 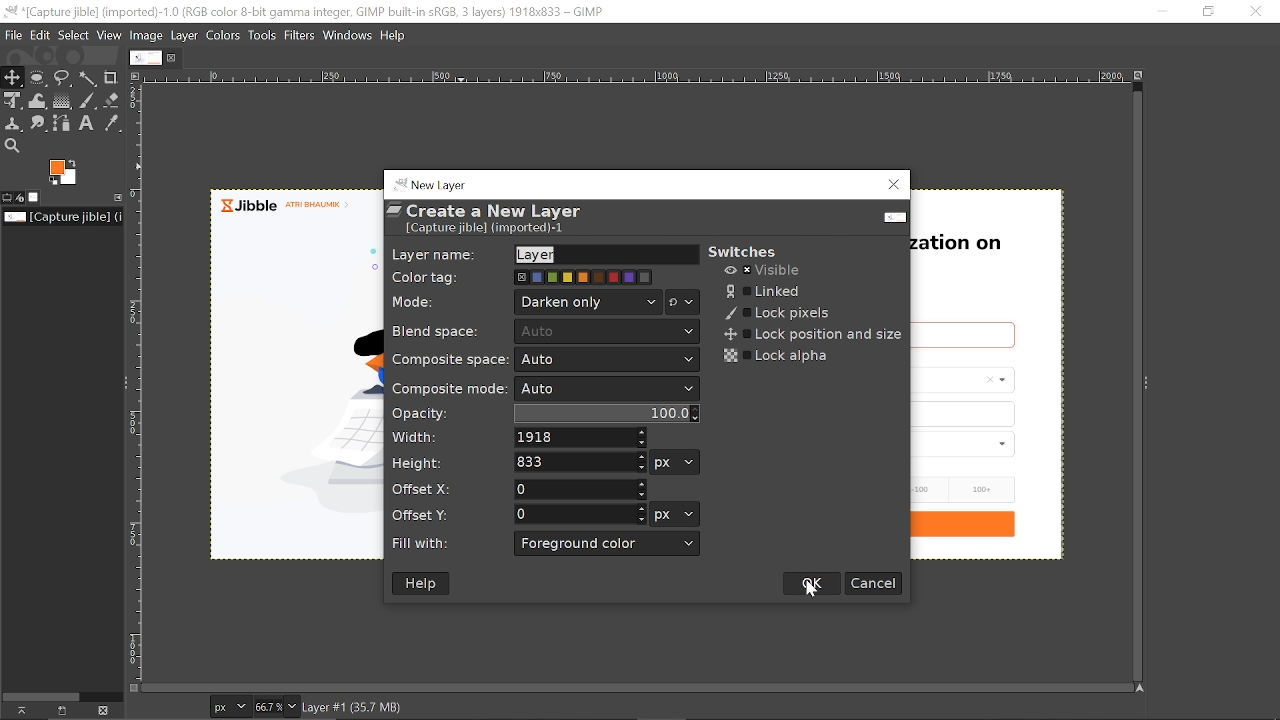 I want to click on Gradient tool, so click(x=63, y=101).